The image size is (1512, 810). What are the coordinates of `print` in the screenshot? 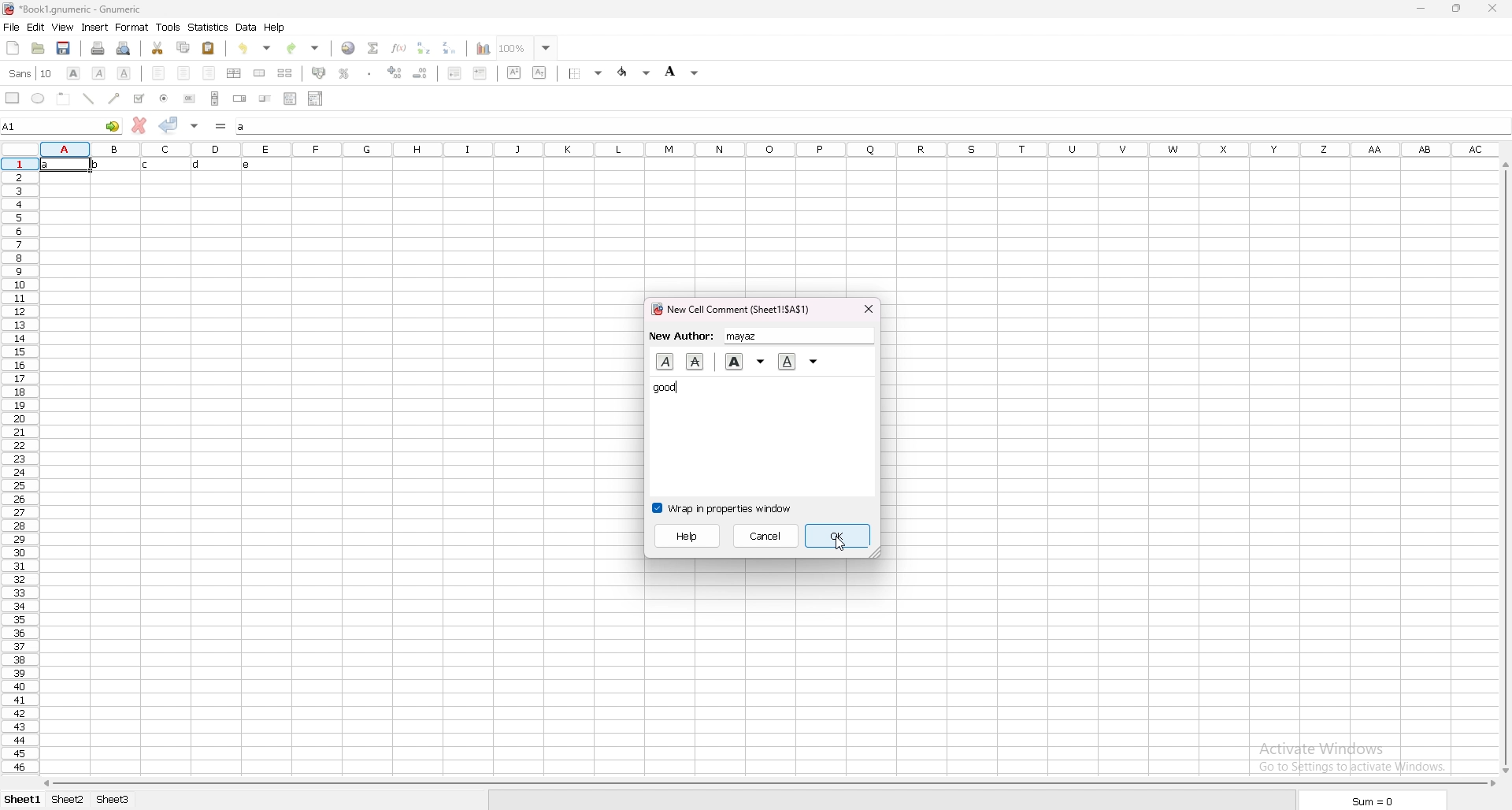 It's located at (98, 48).